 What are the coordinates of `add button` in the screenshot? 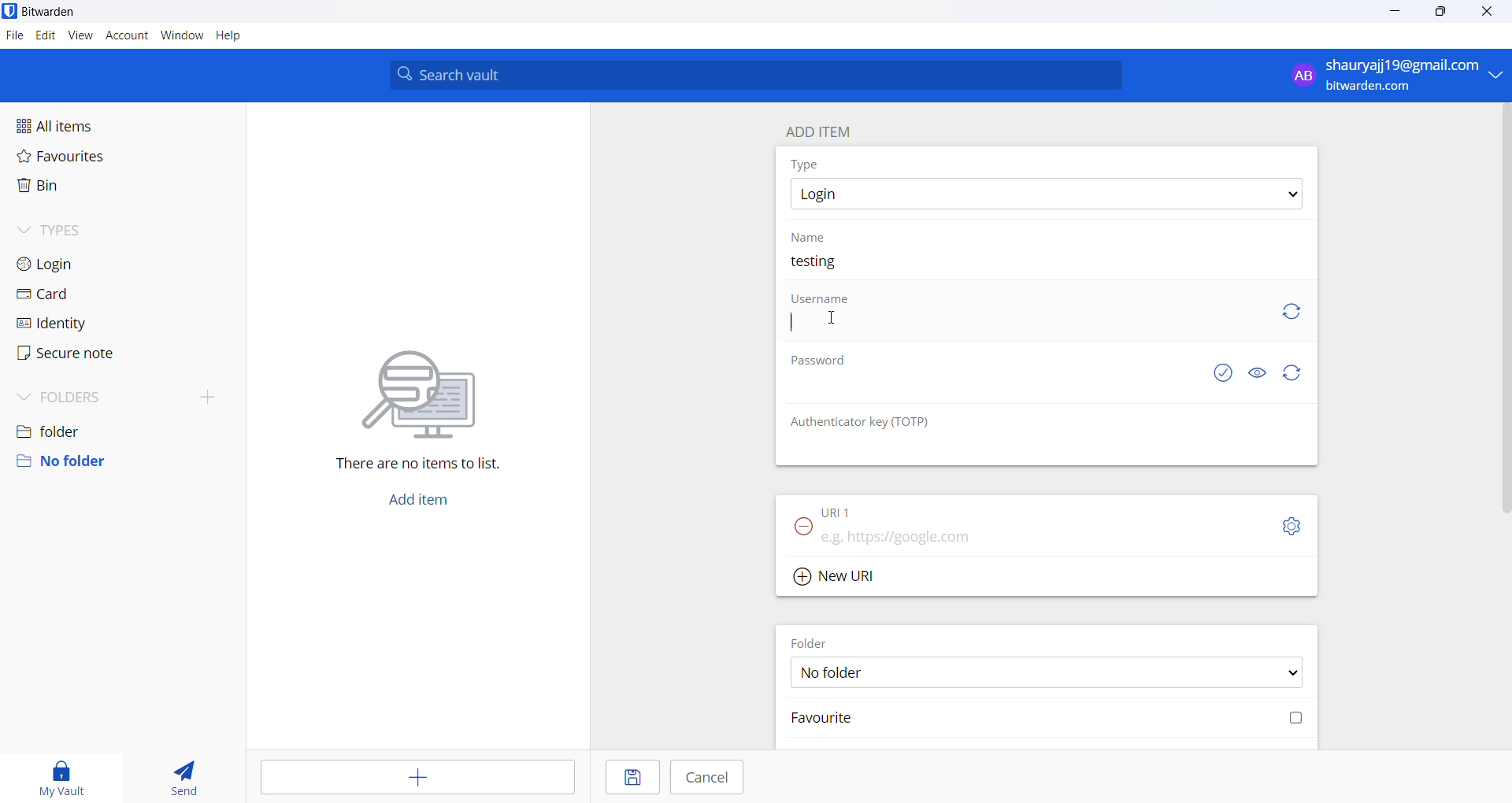 It's located at (417, 502).